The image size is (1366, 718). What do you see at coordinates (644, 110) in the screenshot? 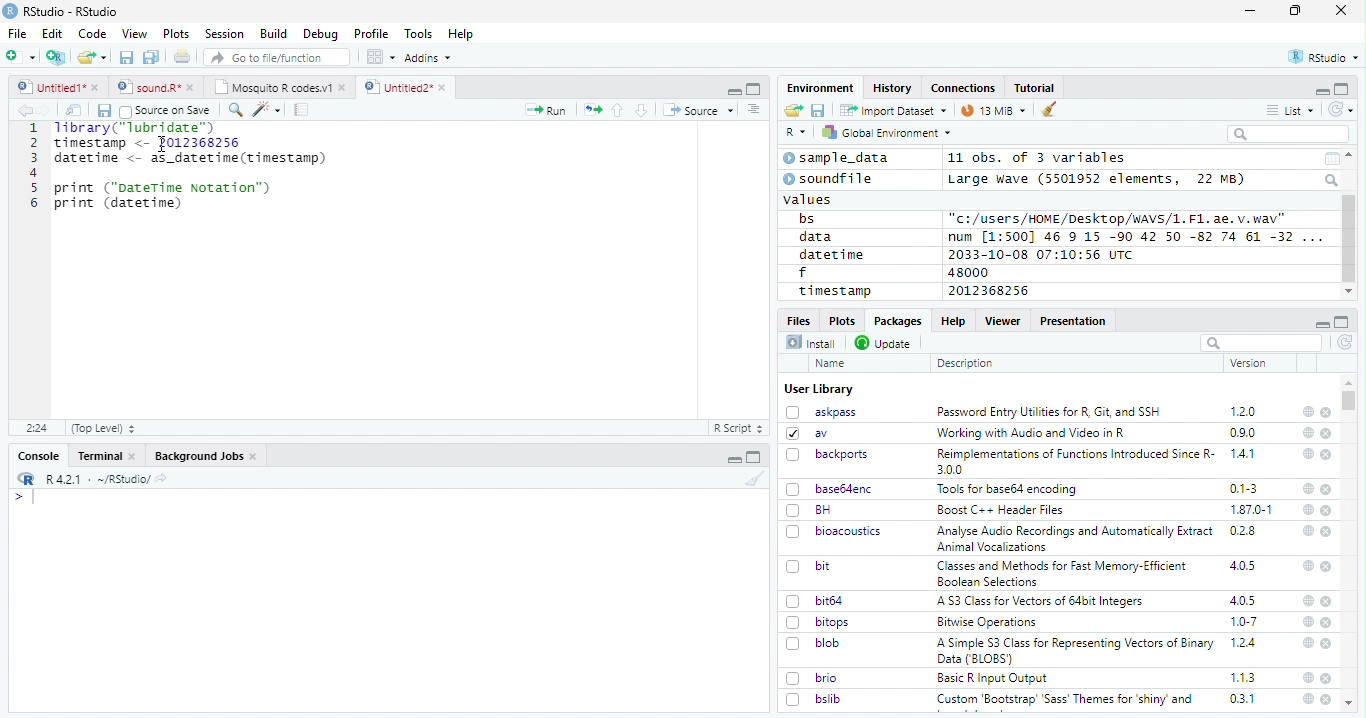
I see `Go to next section` at bounding box center [644, 110].